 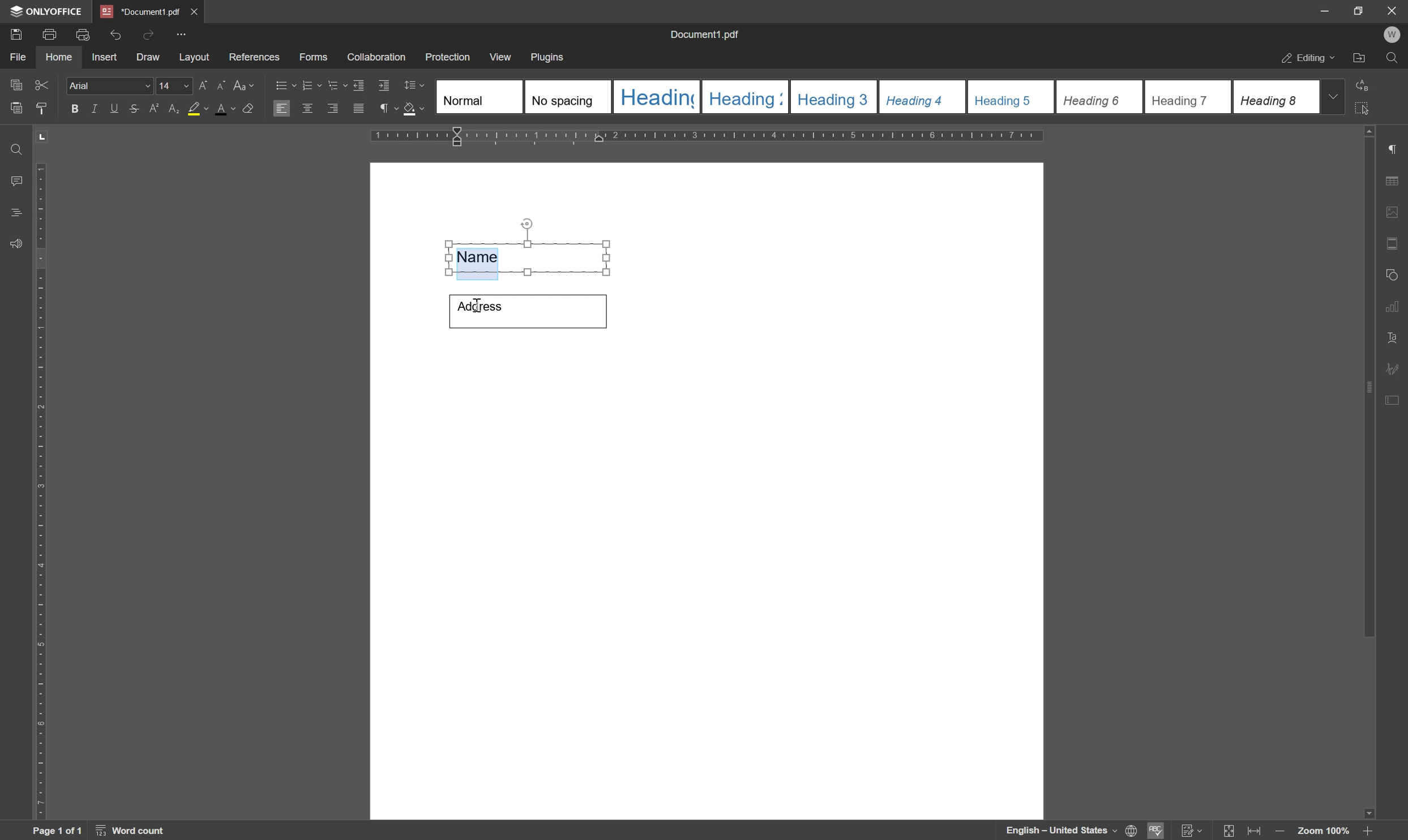 What do you see at coordinates (1396, 182) in the screenshot?
I see `table settings` at bounding box center [1396, 182].